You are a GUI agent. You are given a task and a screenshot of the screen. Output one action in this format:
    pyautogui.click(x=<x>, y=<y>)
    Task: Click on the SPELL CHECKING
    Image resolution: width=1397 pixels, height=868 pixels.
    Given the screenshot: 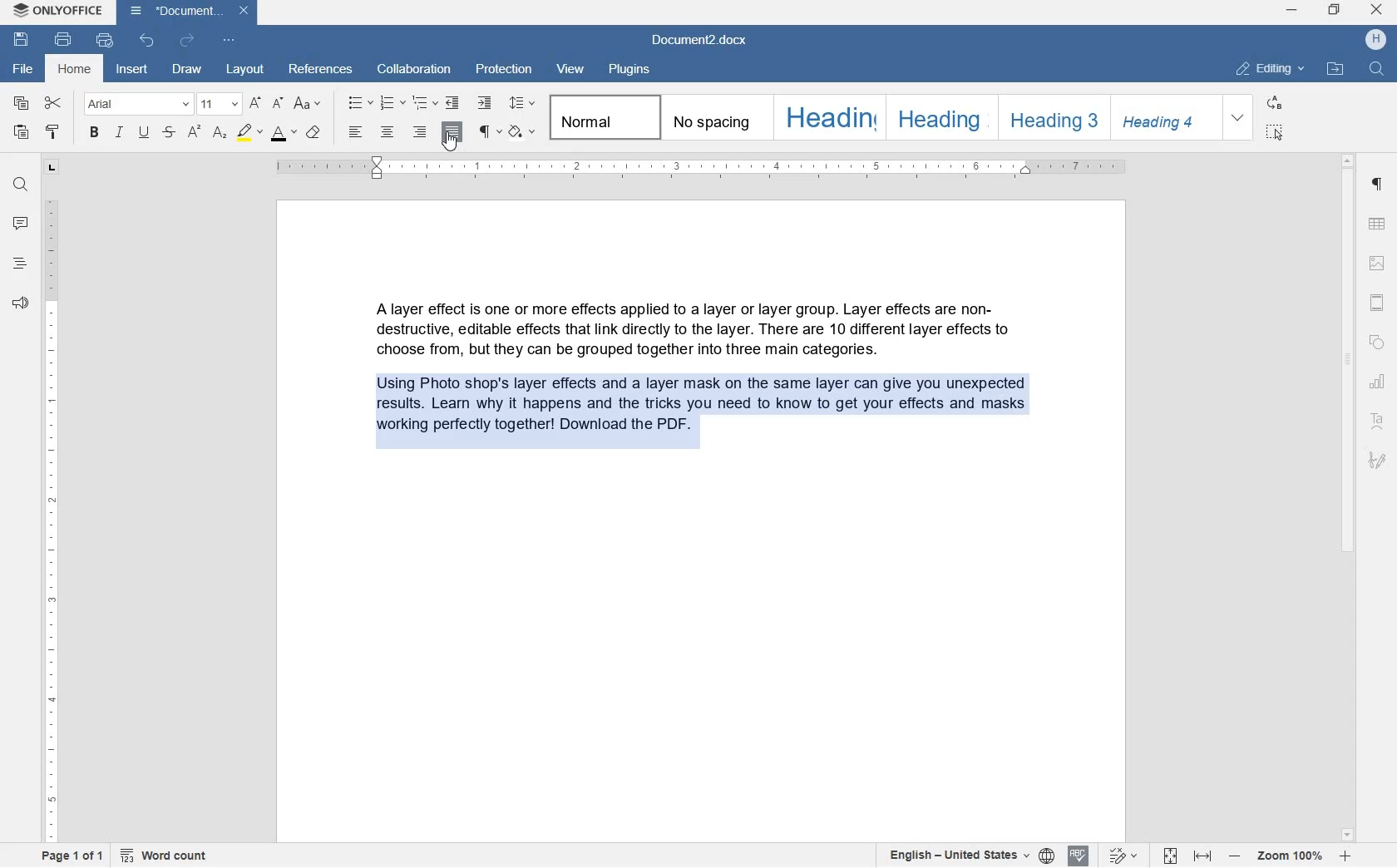 What is the action you would take?
    pyautogui.click(x=1079, y=856)
    